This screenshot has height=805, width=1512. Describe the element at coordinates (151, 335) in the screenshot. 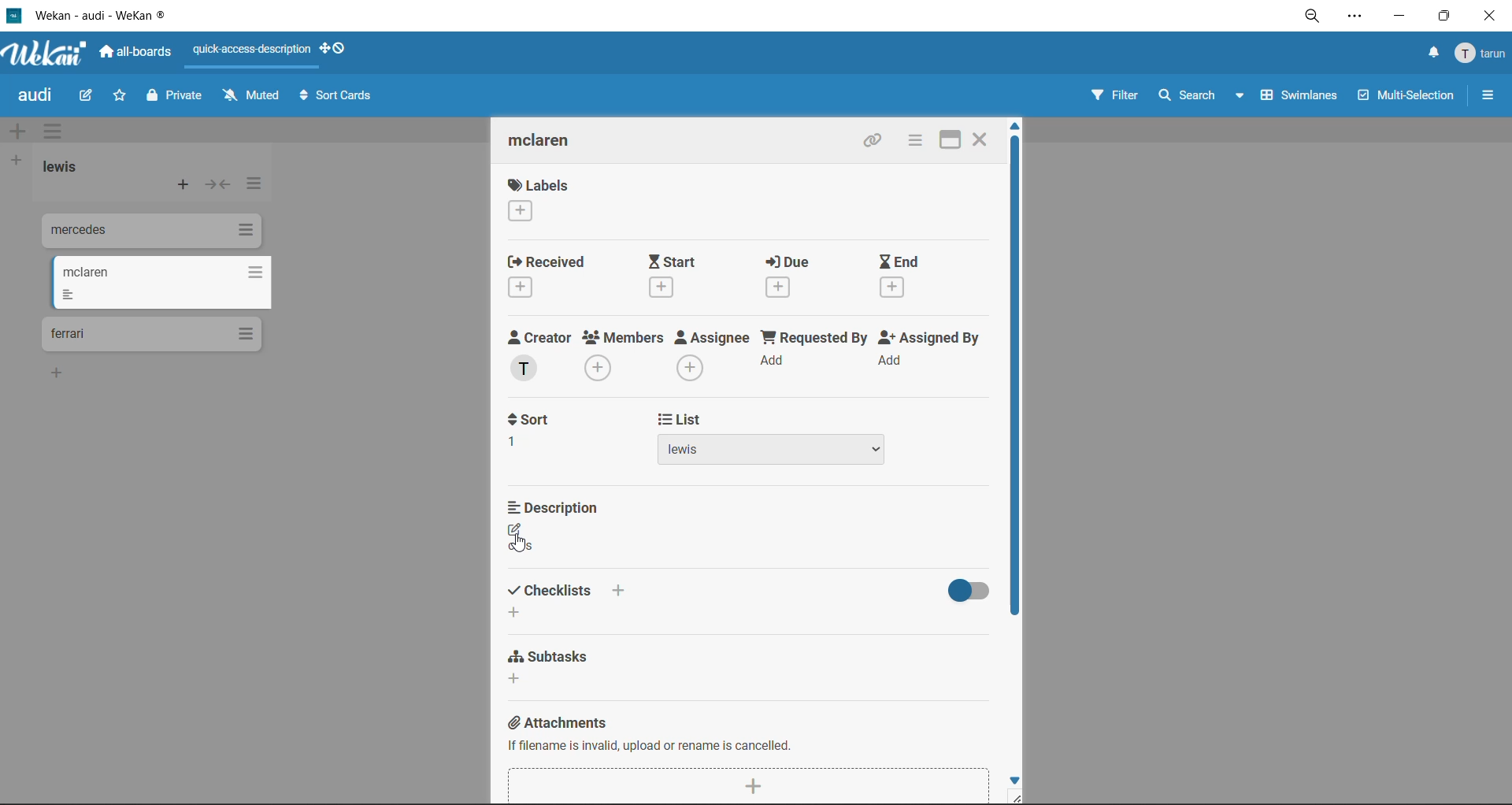

I see `cards` at that location.